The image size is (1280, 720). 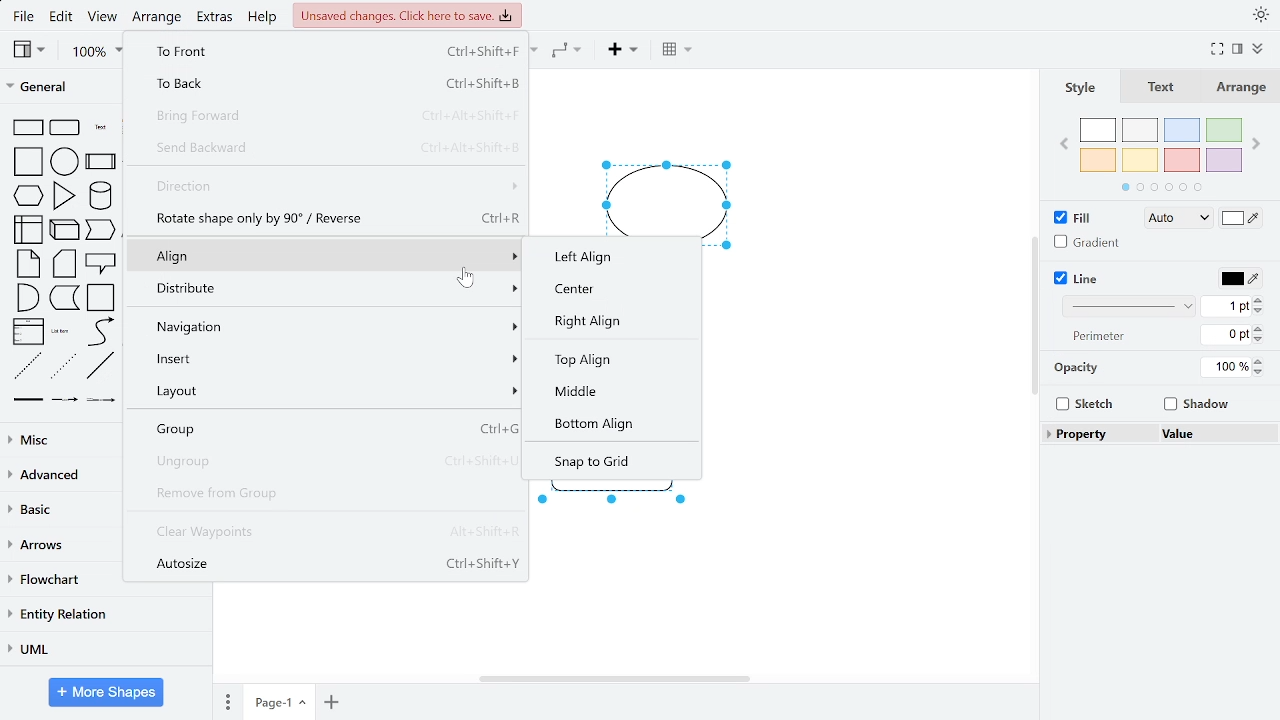 I want to click on dashed line, so click(x=27, y=366).